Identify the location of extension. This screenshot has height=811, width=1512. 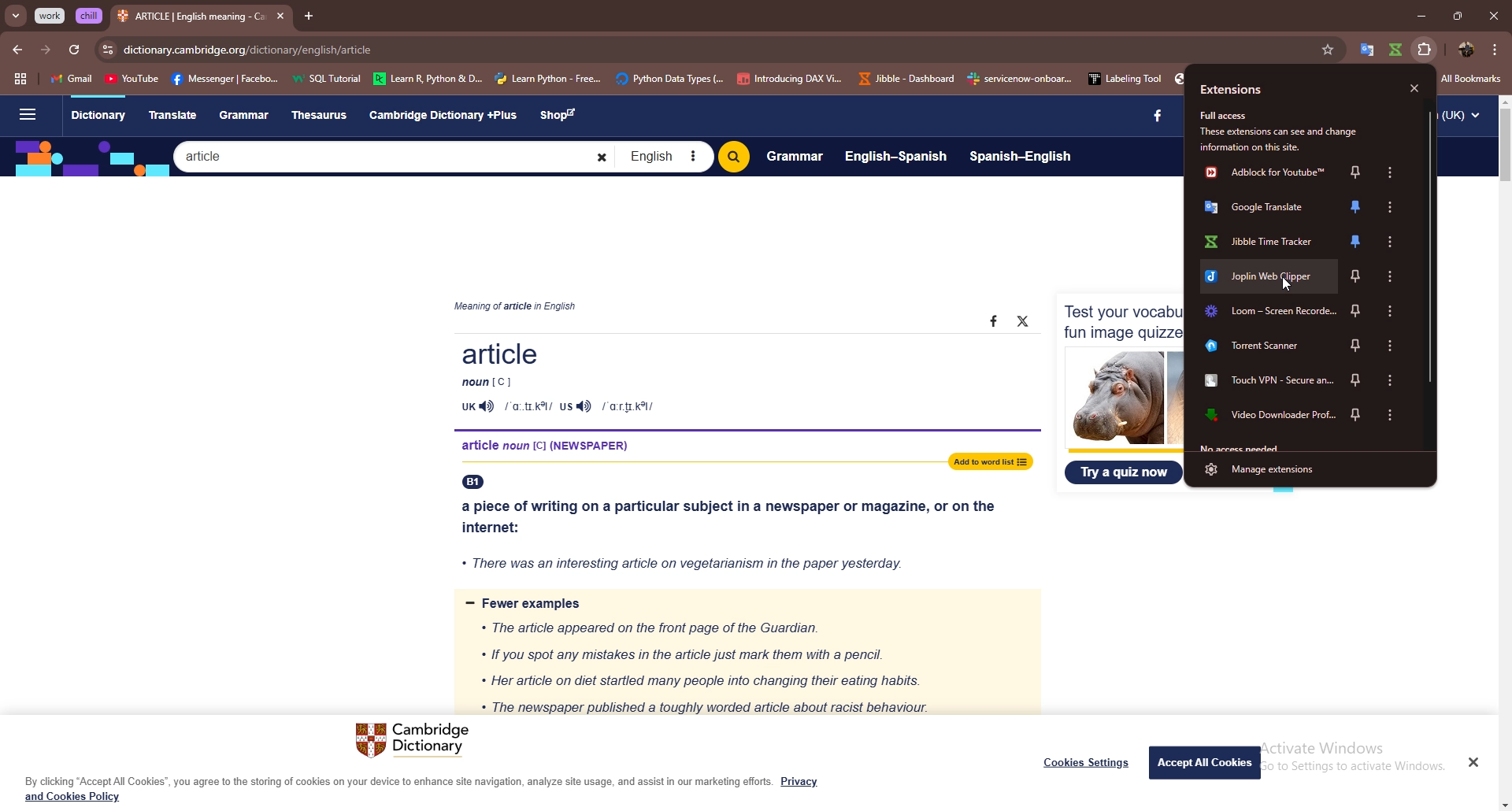
(1267, 276).